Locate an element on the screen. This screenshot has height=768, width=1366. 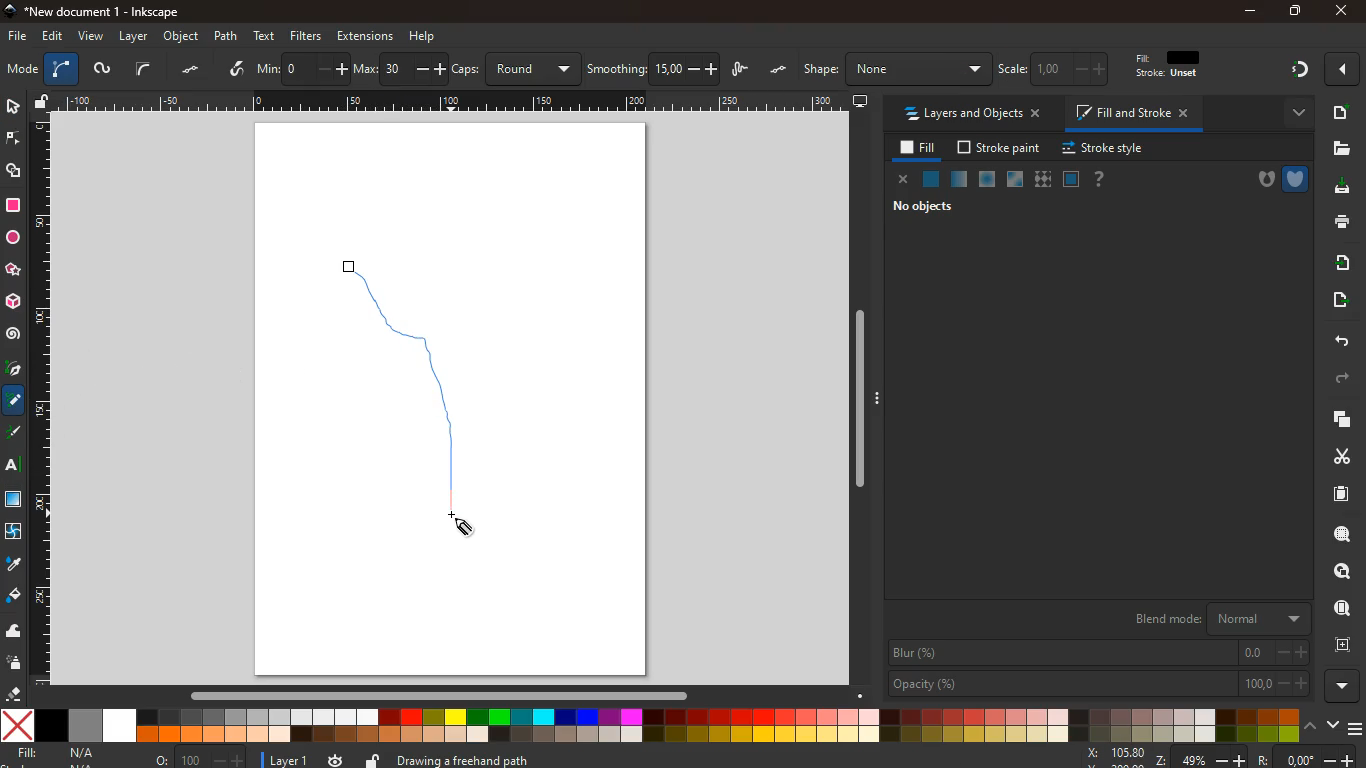
close is located at coordinates (1345, 70).